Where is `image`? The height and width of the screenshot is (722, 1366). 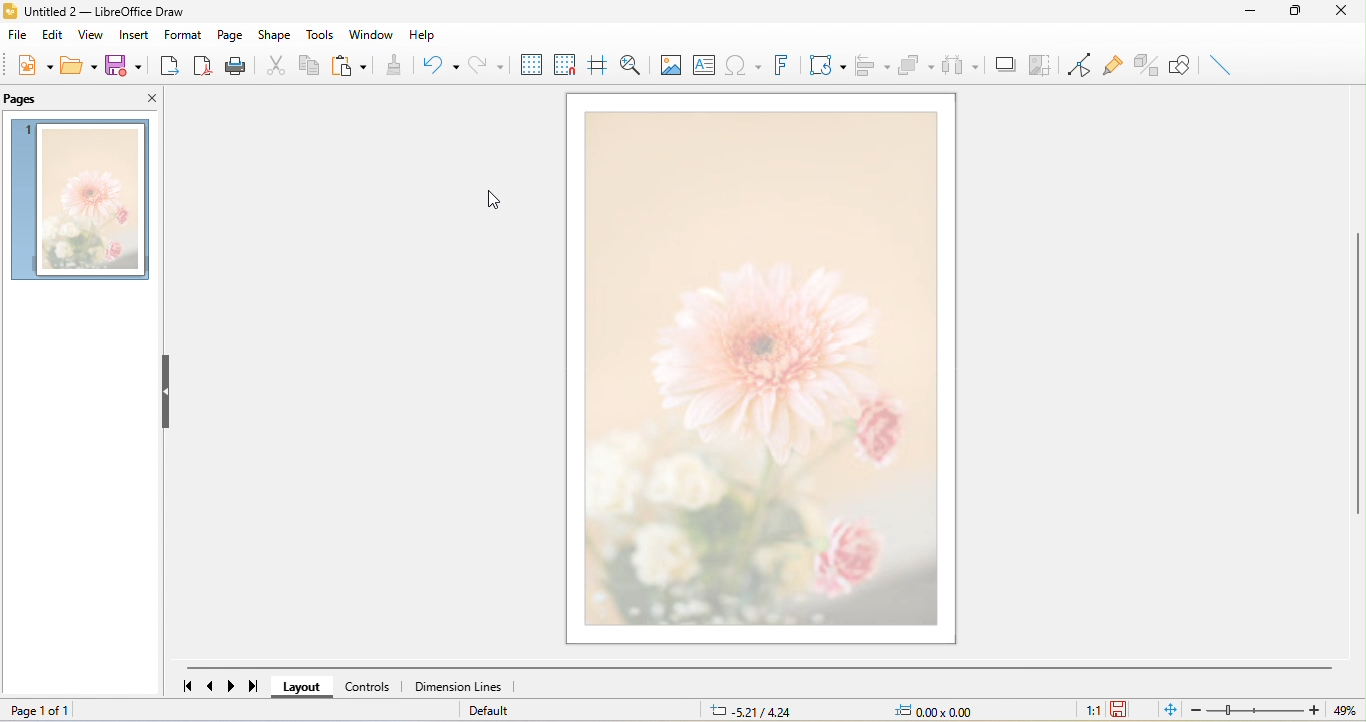
image is located at coordinates (82, 200).